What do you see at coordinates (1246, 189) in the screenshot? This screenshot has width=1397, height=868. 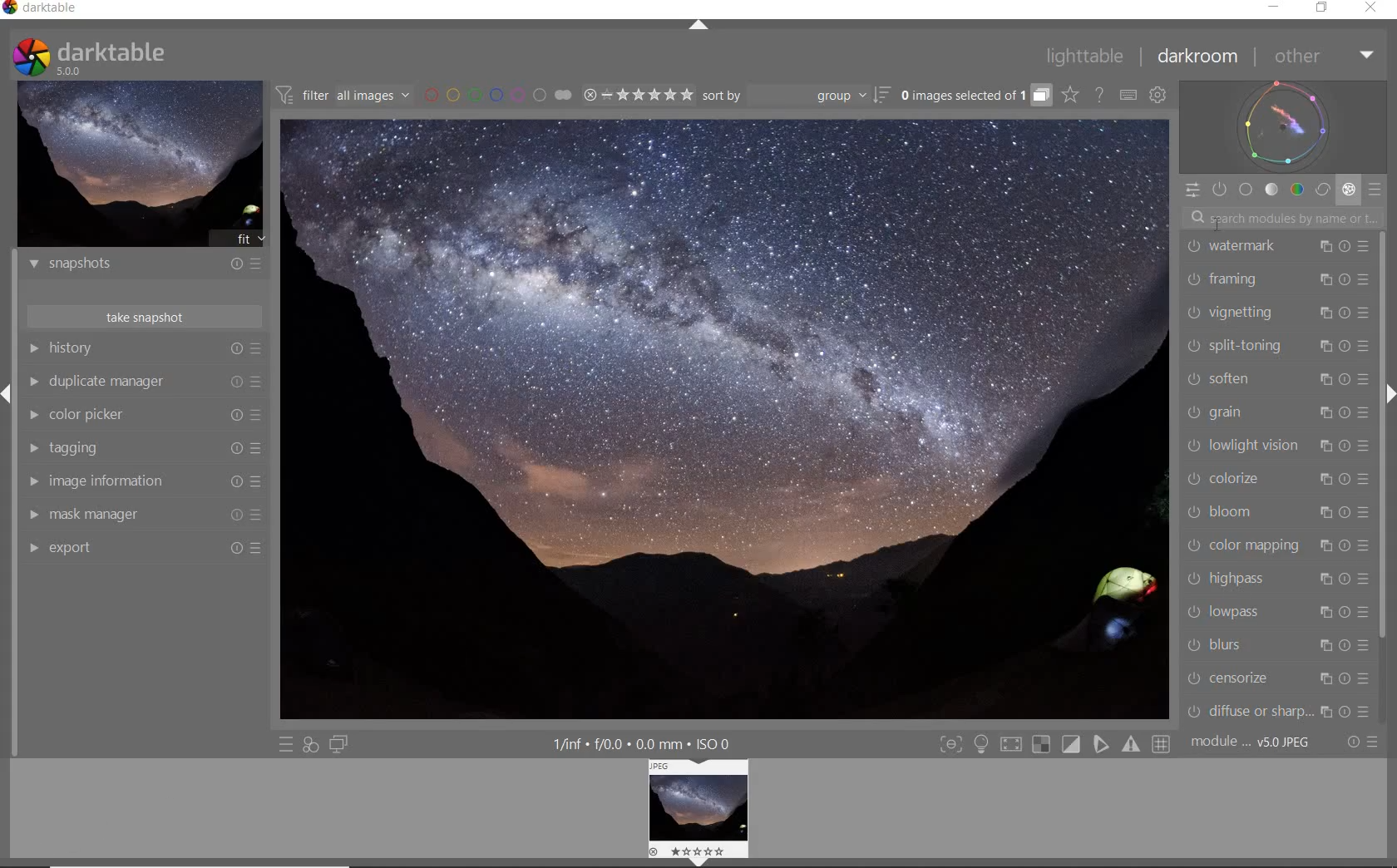 I see `BASE` at bounding box center [1246, 189].